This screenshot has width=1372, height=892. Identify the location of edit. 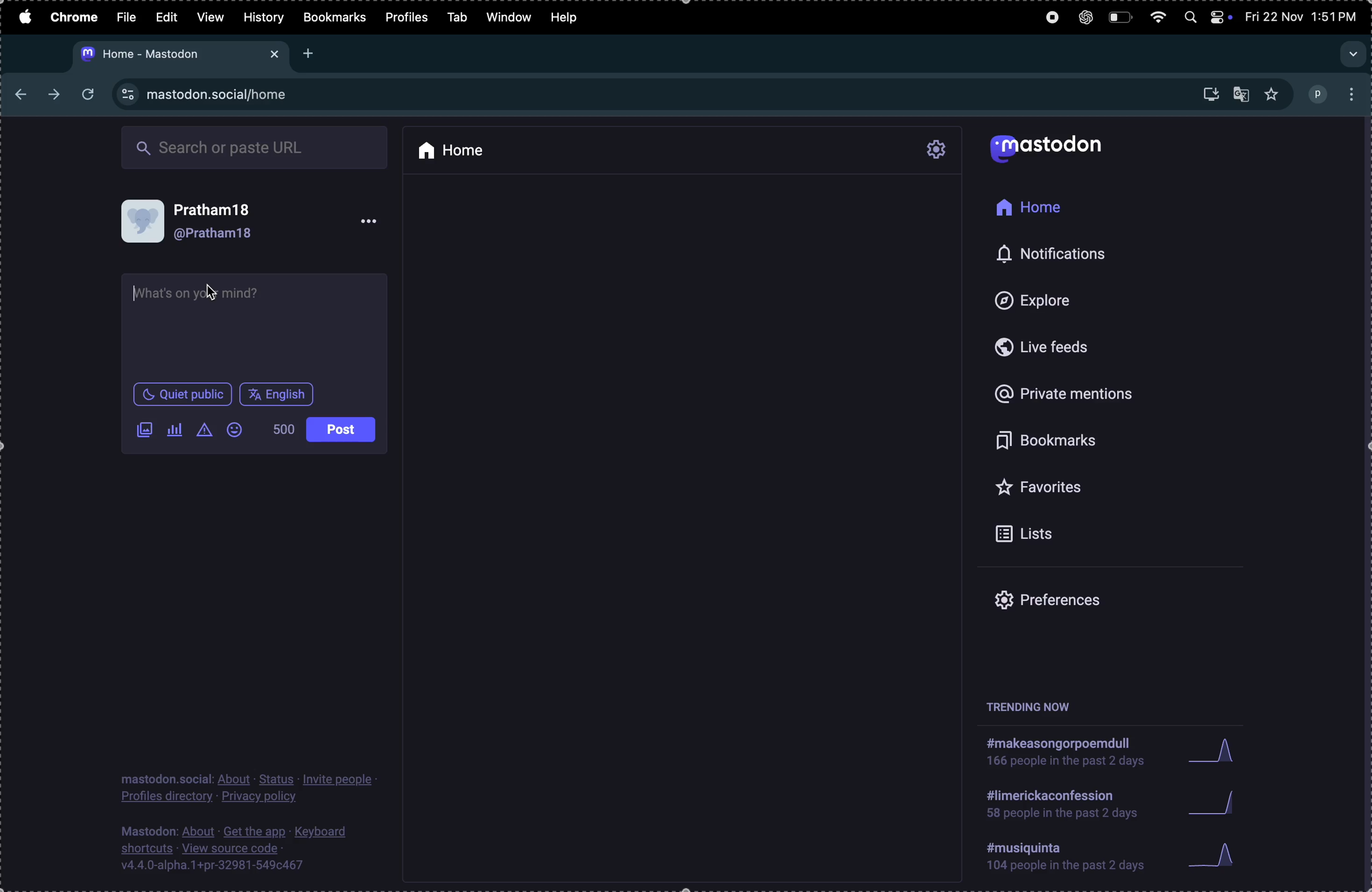
(168, 16).